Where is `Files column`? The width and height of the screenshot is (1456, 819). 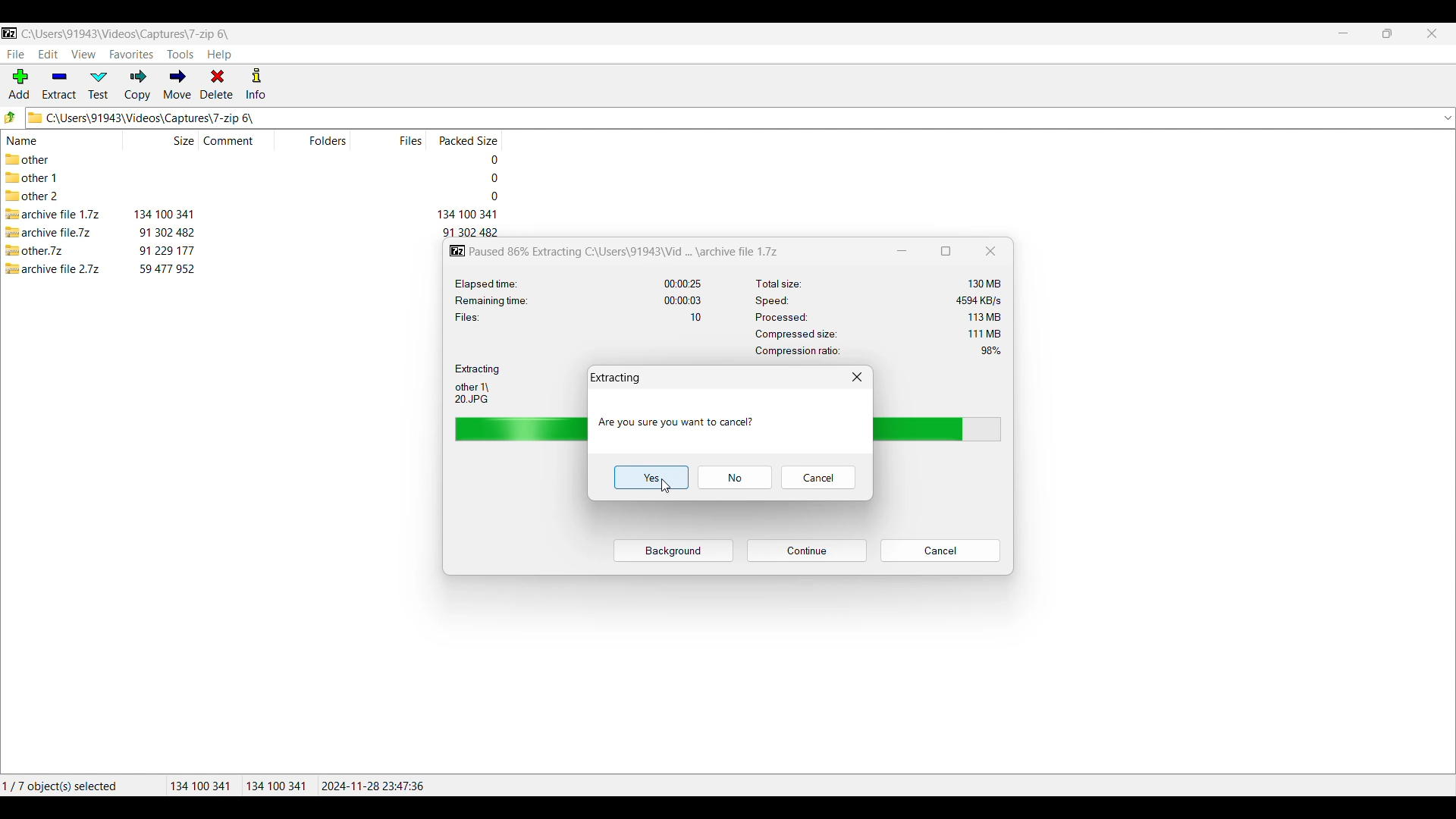
Files column is located at coordinates (406, 140).